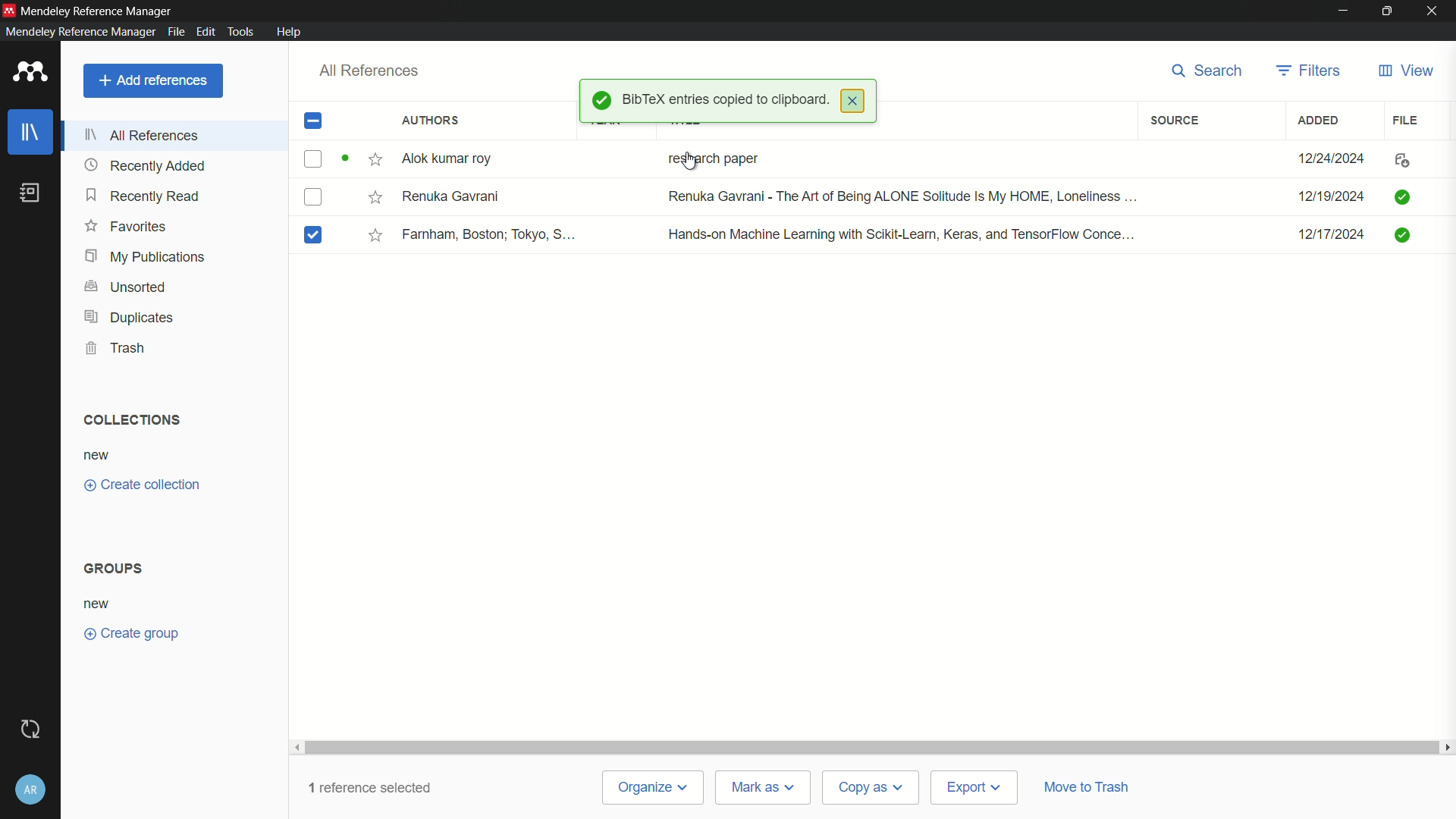  Describe the element at coordinates (133, 420) in the screenshot. I see `collections` at that location.